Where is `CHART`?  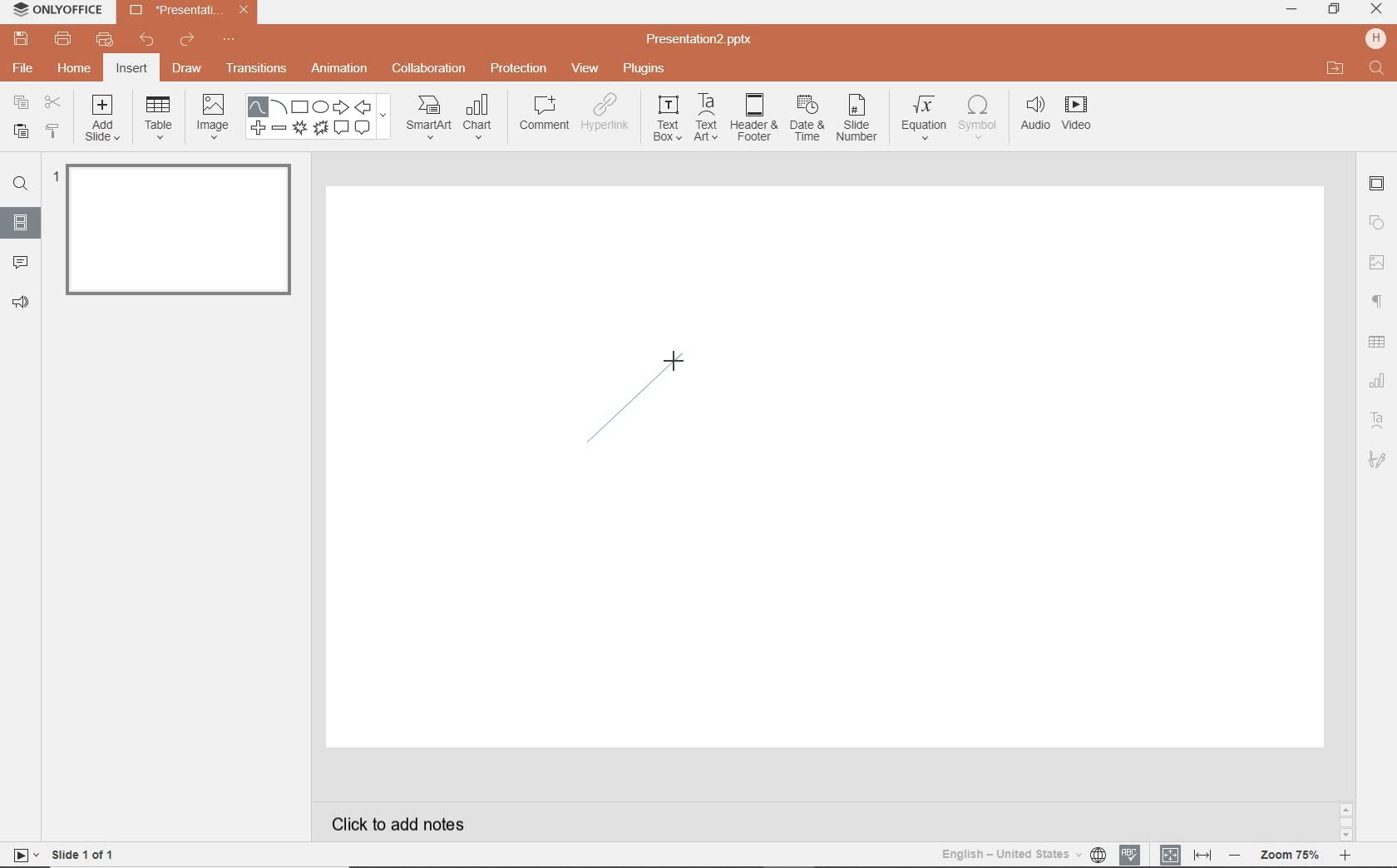 CHART is located at coordinates (481, 119).